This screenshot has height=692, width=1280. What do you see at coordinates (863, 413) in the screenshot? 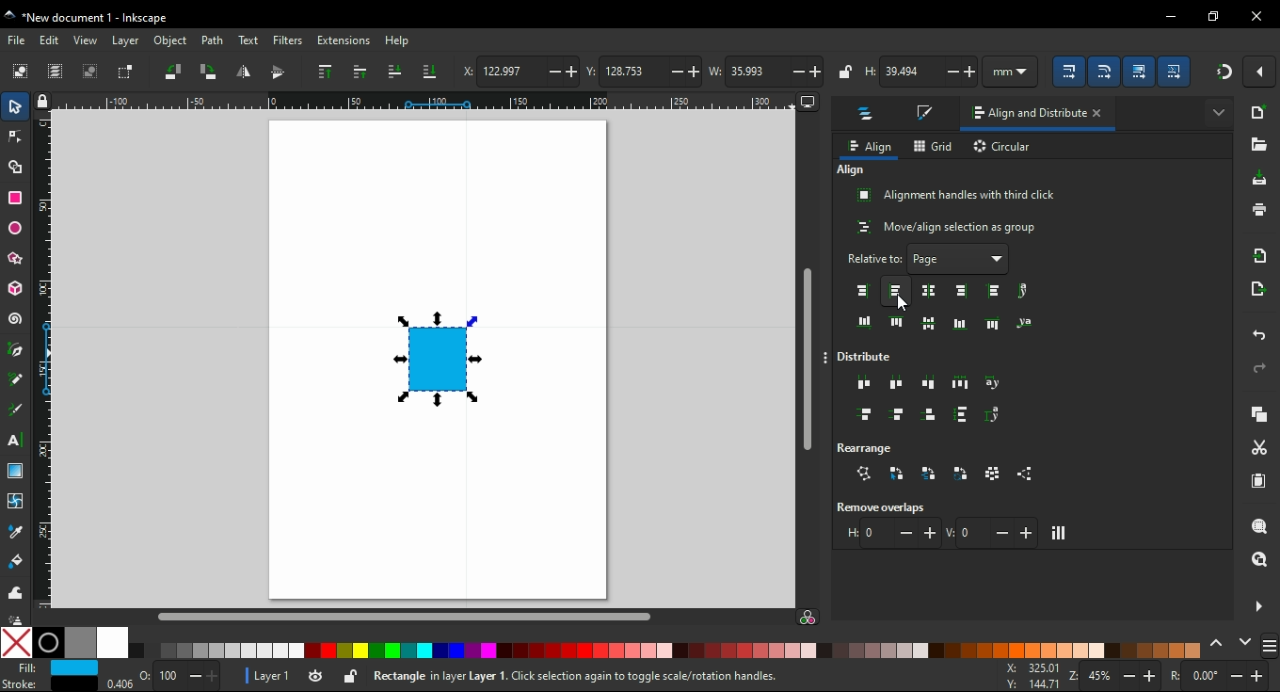
I see `distribute vertically with even spacing between top edges` at bounding box center [863, 413].